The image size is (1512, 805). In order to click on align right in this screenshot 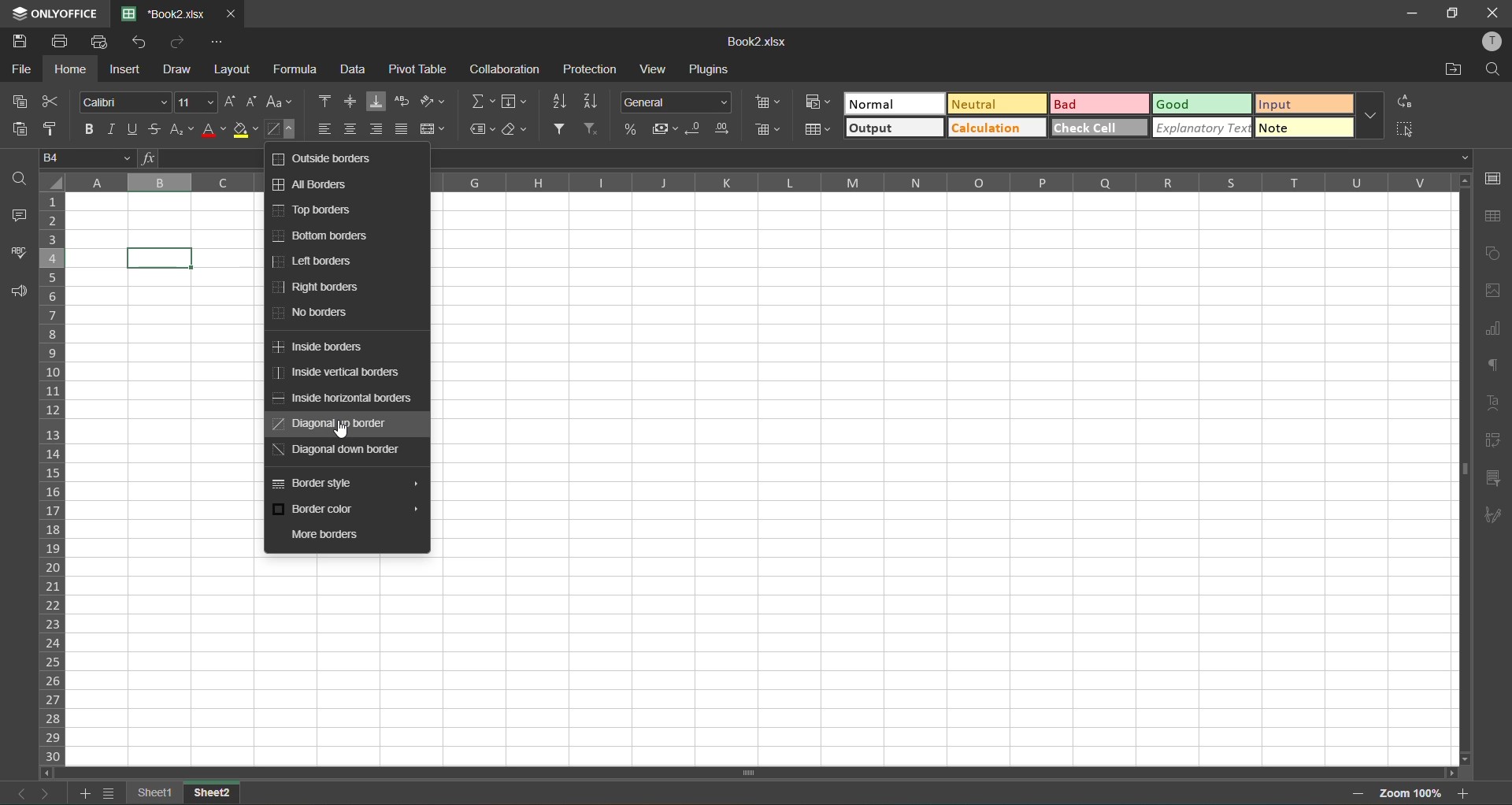, I will do `click(375, 128)`.